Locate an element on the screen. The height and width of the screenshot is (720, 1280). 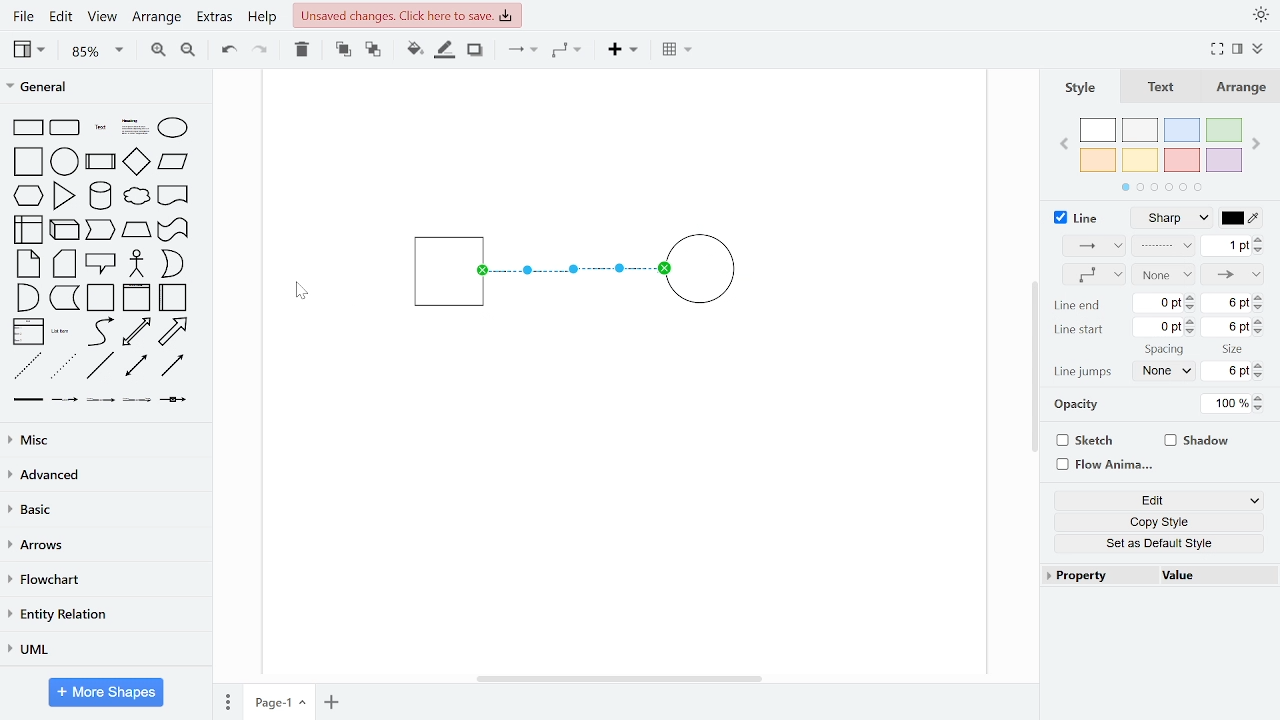
current diagram is located at coordinates (594, 268).